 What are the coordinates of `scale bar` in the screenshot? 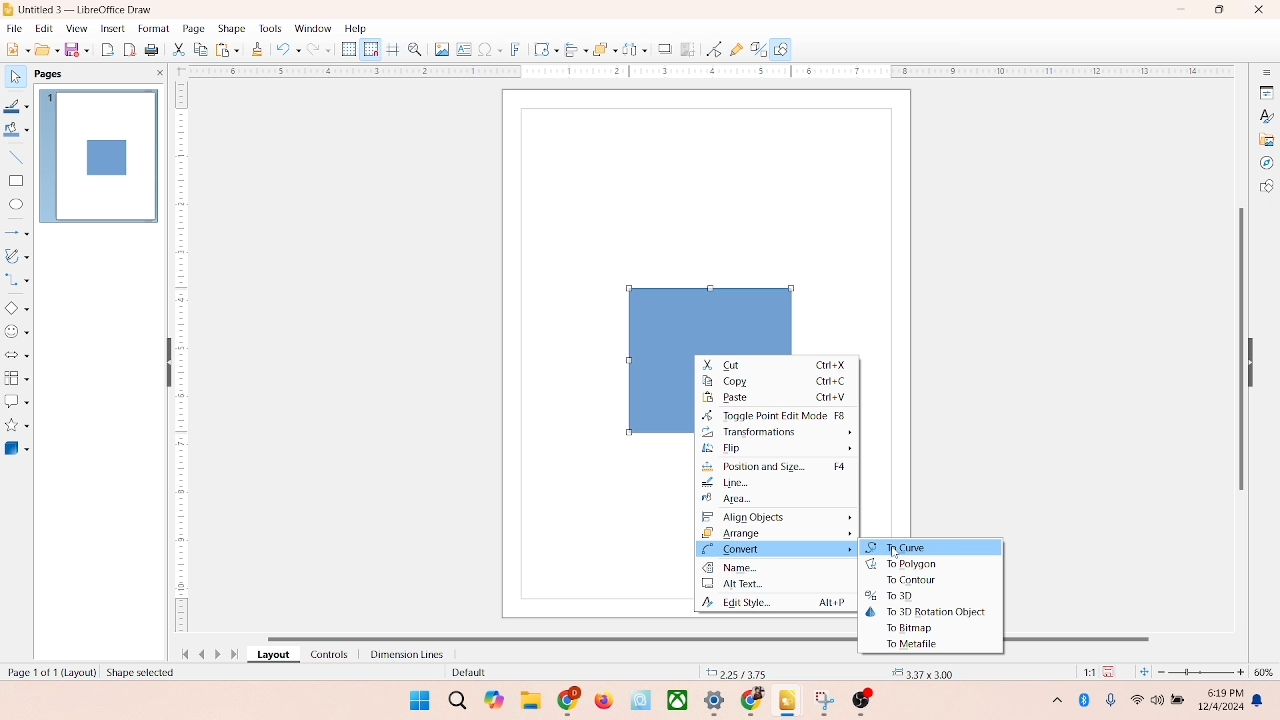 It's located at (704, 72).